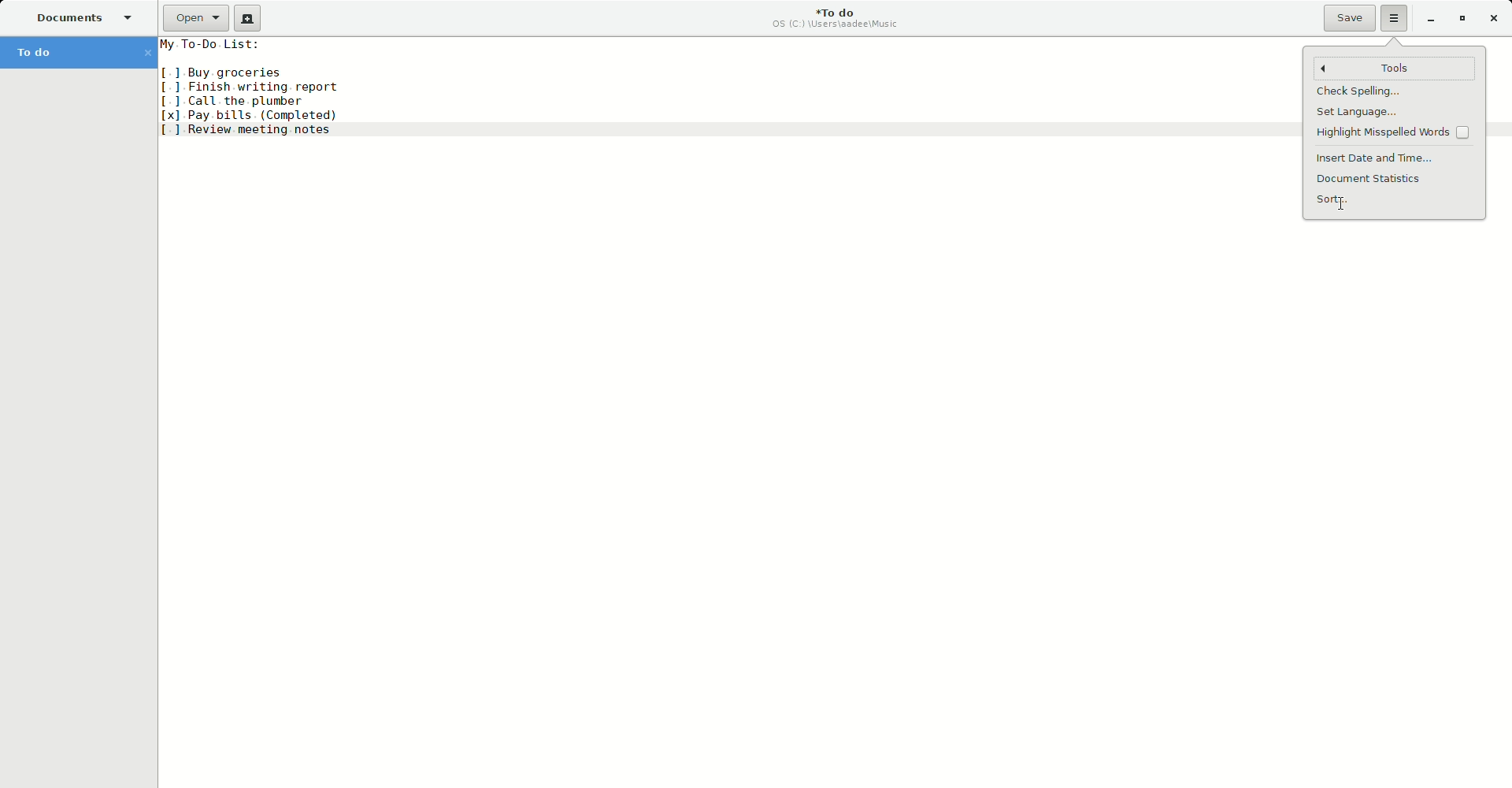  Describe the element at coordinates (256, 88) in the screenshot. I see `To do list` at that location.